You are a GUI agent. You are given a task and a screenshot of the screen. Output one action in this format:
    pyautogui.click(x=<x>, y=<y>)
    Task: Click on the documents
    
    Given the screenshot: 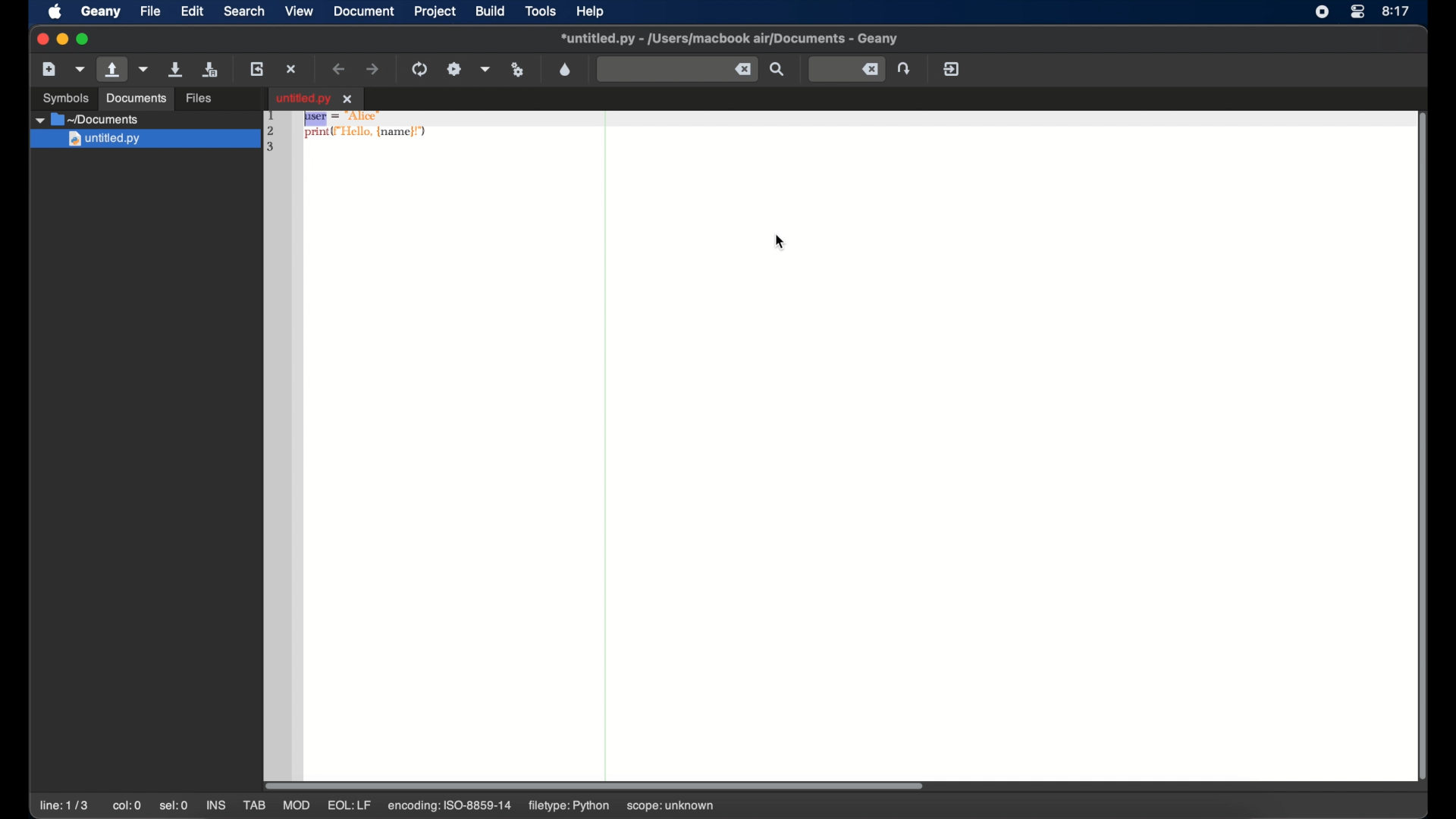 What is the action you would take?
    pyautogui.click(x=136, y=99)
    